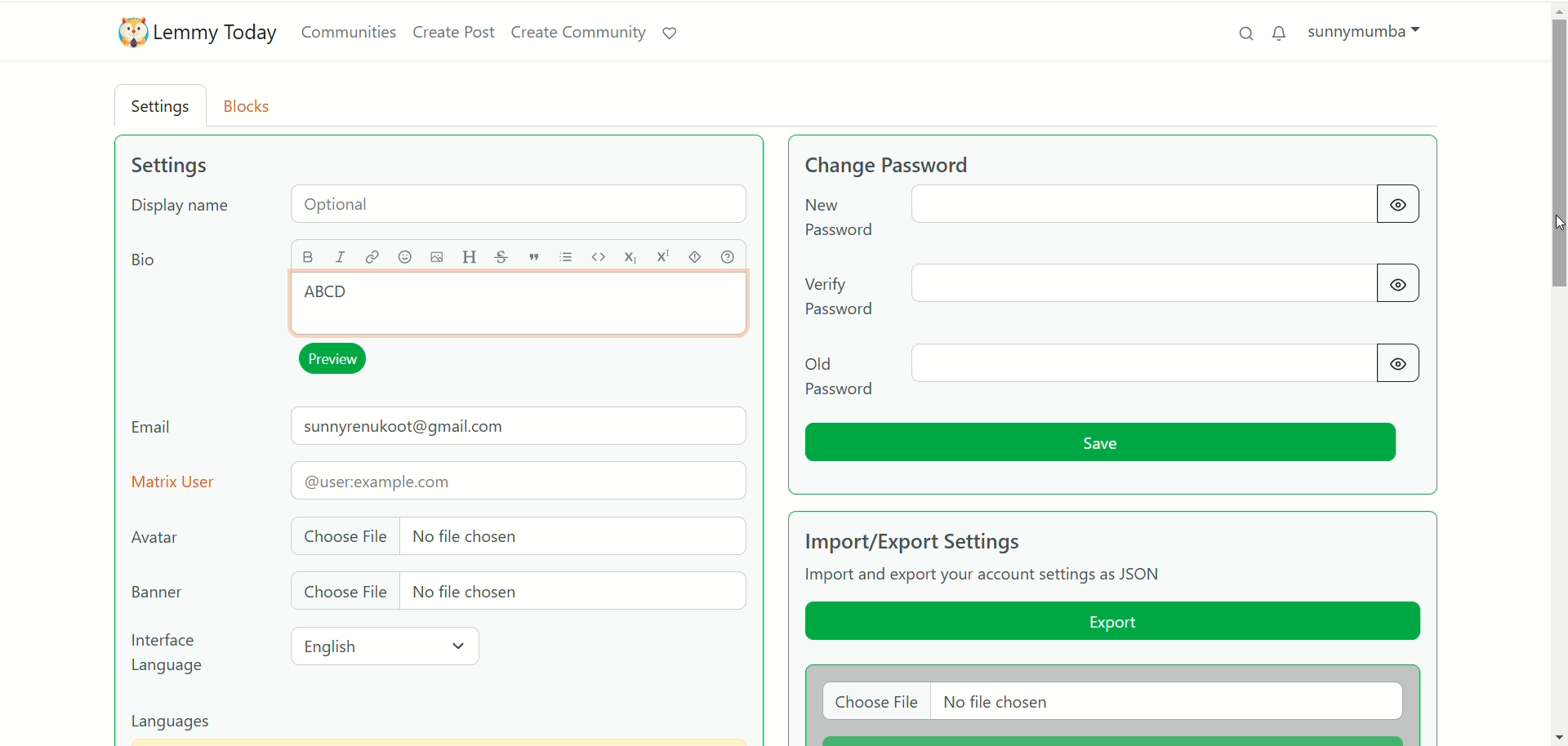 The width and height of the screenshot is (1568, 746). What do you see at coordinates (1103, 443) in the screenshot?
I see `save` at bounding box center [1103, 443].